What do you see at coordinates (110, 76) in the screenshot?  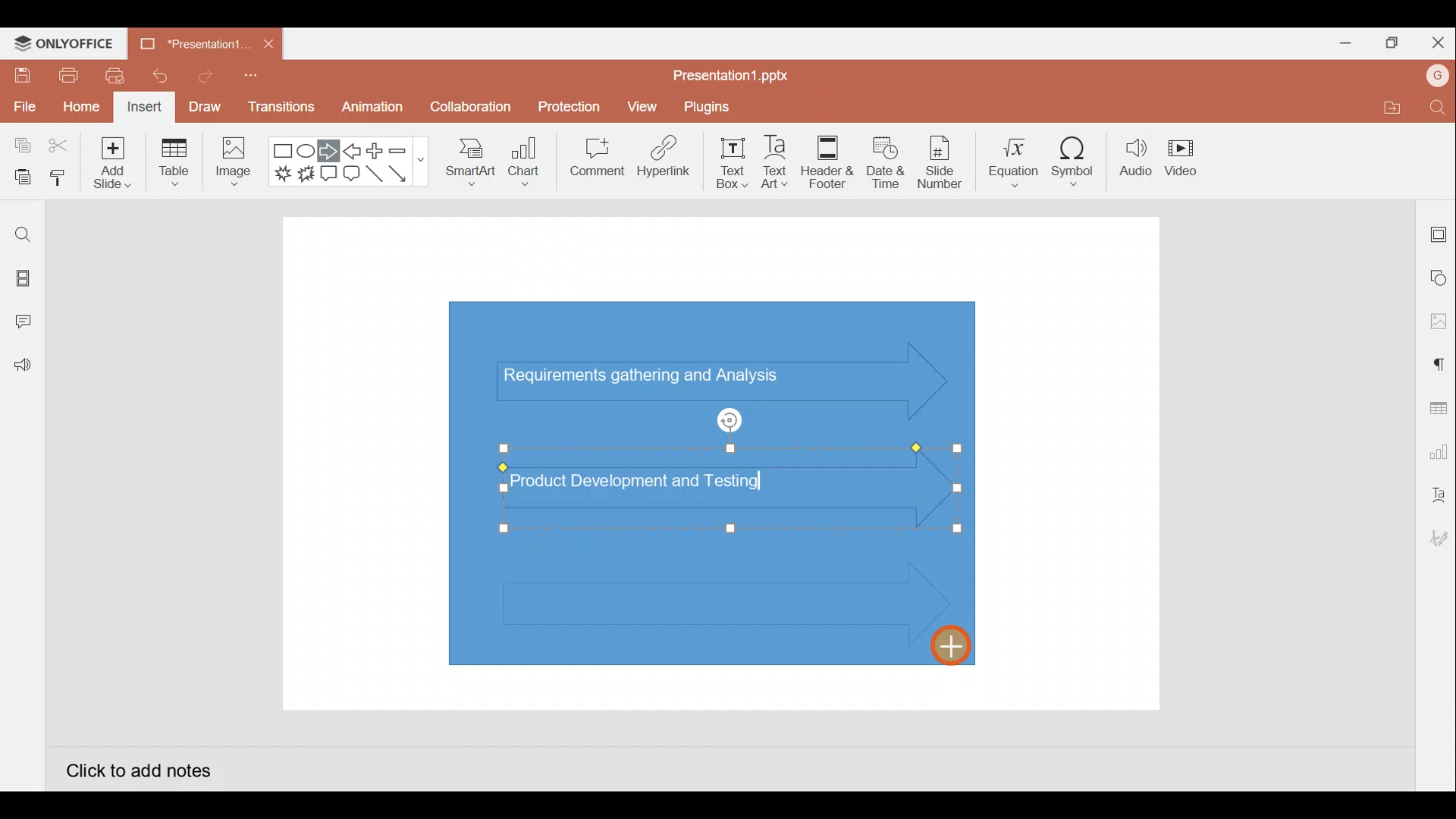 I see `Quick print` at bounding box center [110, 76].